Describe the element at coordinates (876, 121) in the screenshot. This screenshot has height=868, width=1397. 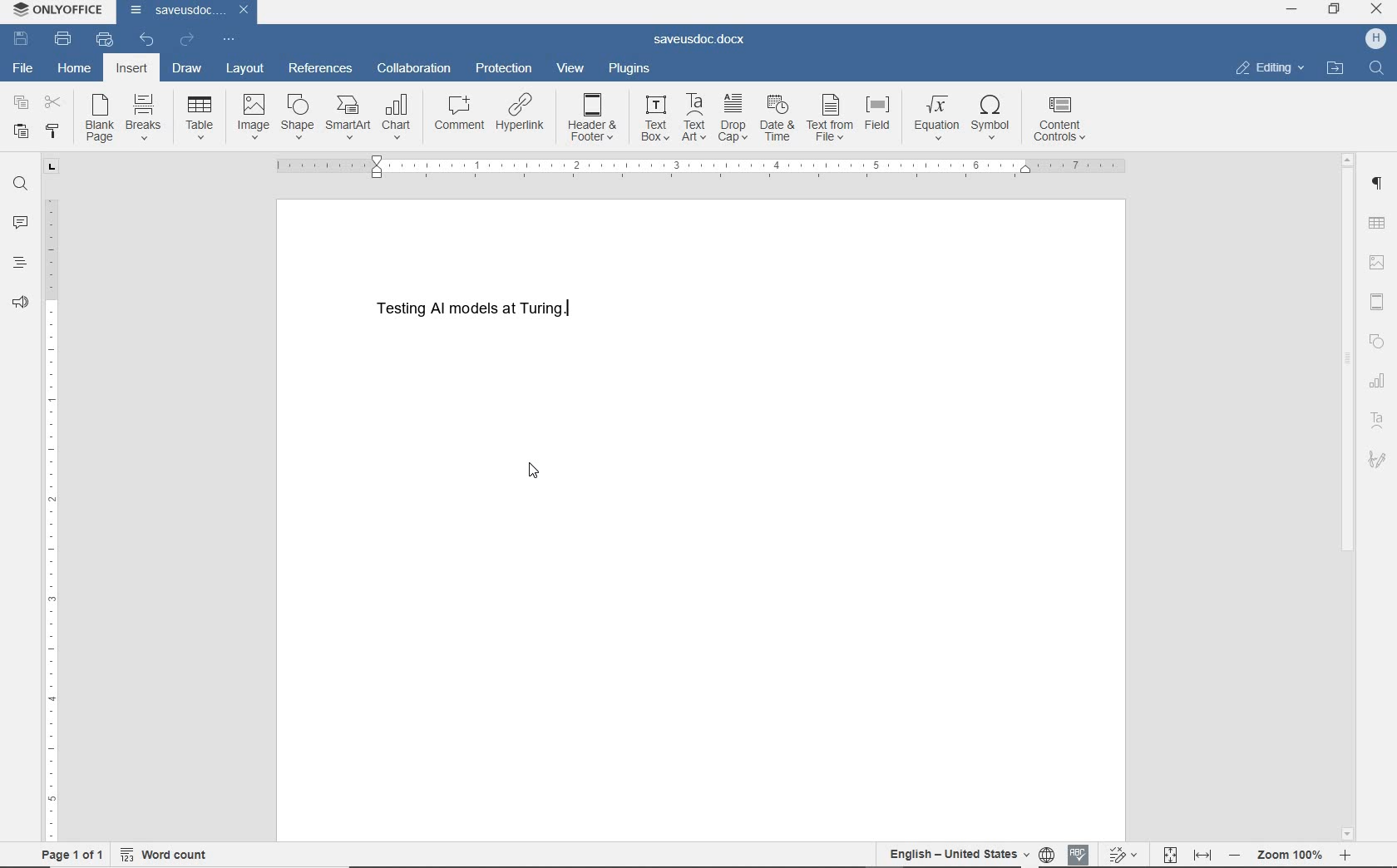
I see `field` at that location.